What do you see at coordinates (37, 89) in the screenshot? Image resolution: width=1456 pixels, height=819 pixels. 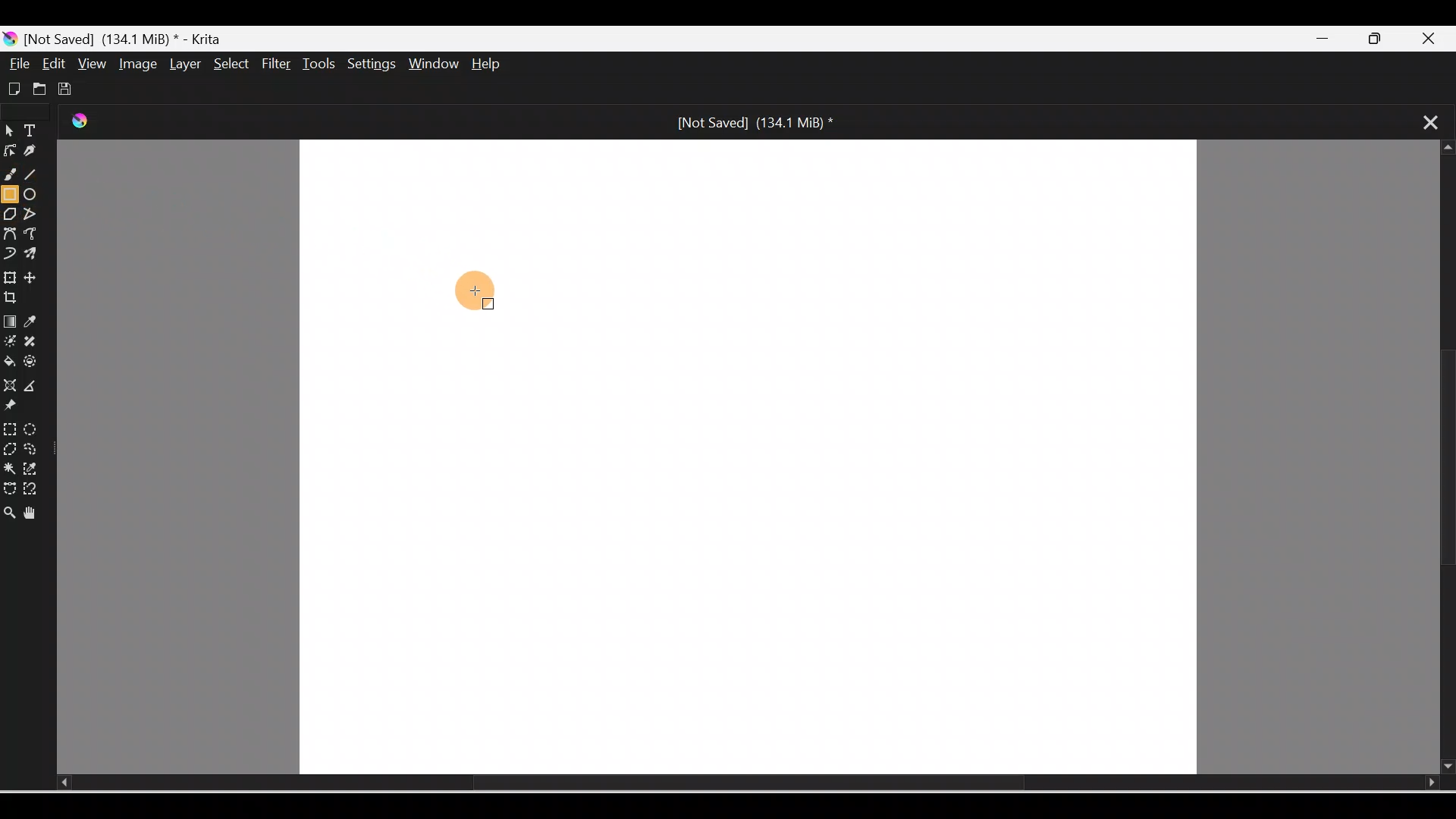 I see `Open existing document` at bounding box center [37, 89].